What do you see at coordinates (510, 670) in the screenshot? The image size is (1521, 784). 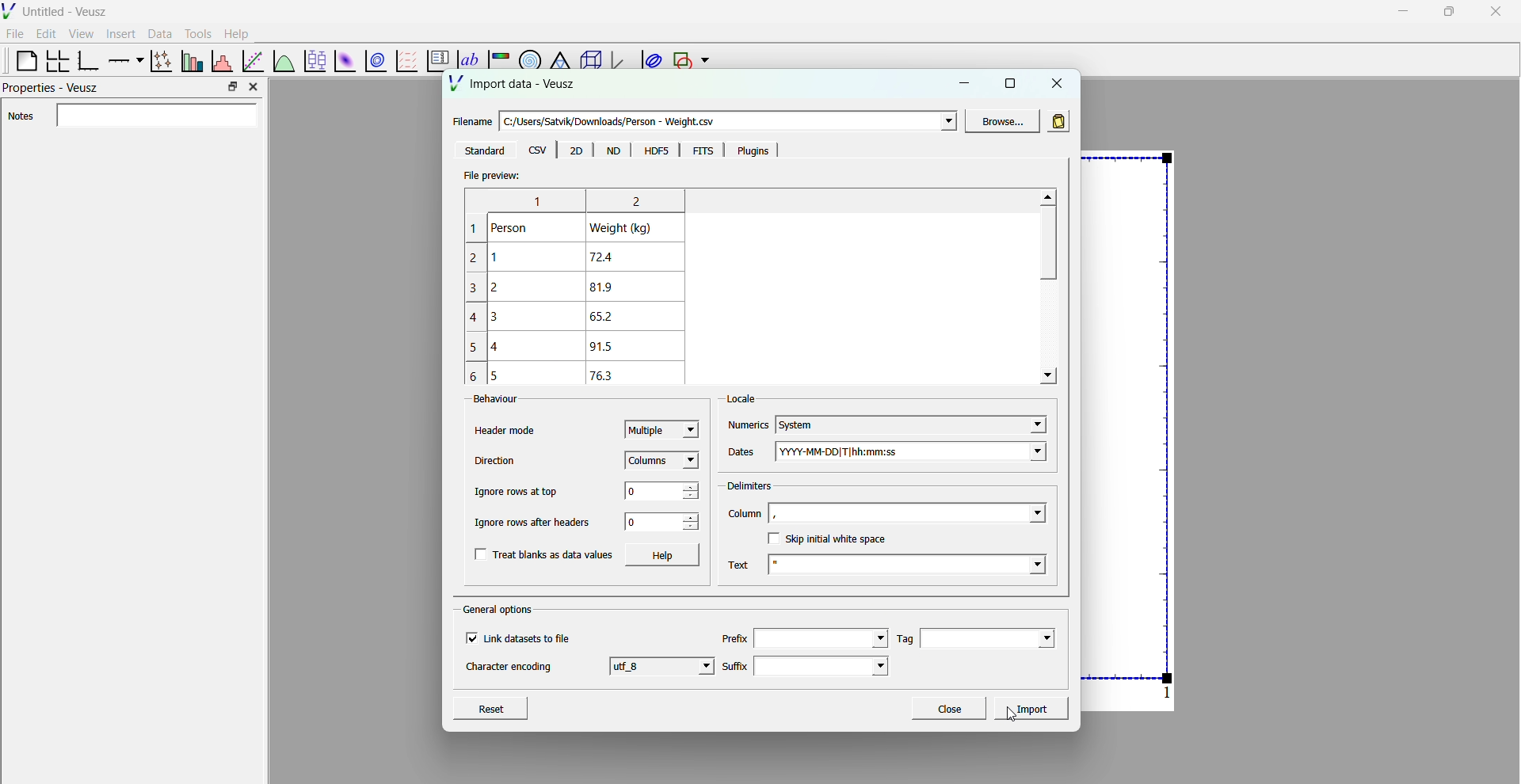 I see `Character encoding` at bounding box center [510, 670].